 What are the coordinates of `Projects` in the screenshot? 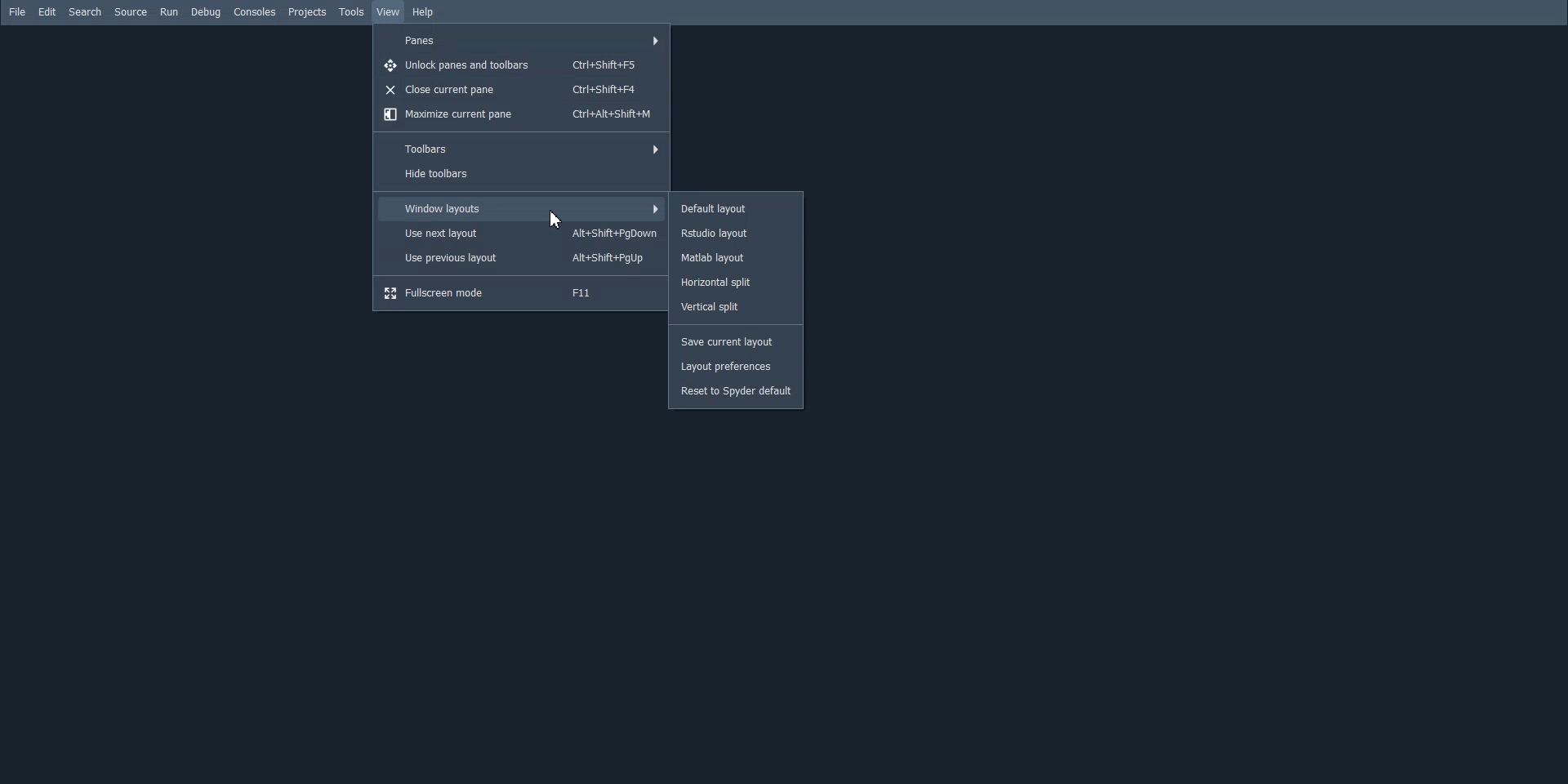 It's located at (308, 13).